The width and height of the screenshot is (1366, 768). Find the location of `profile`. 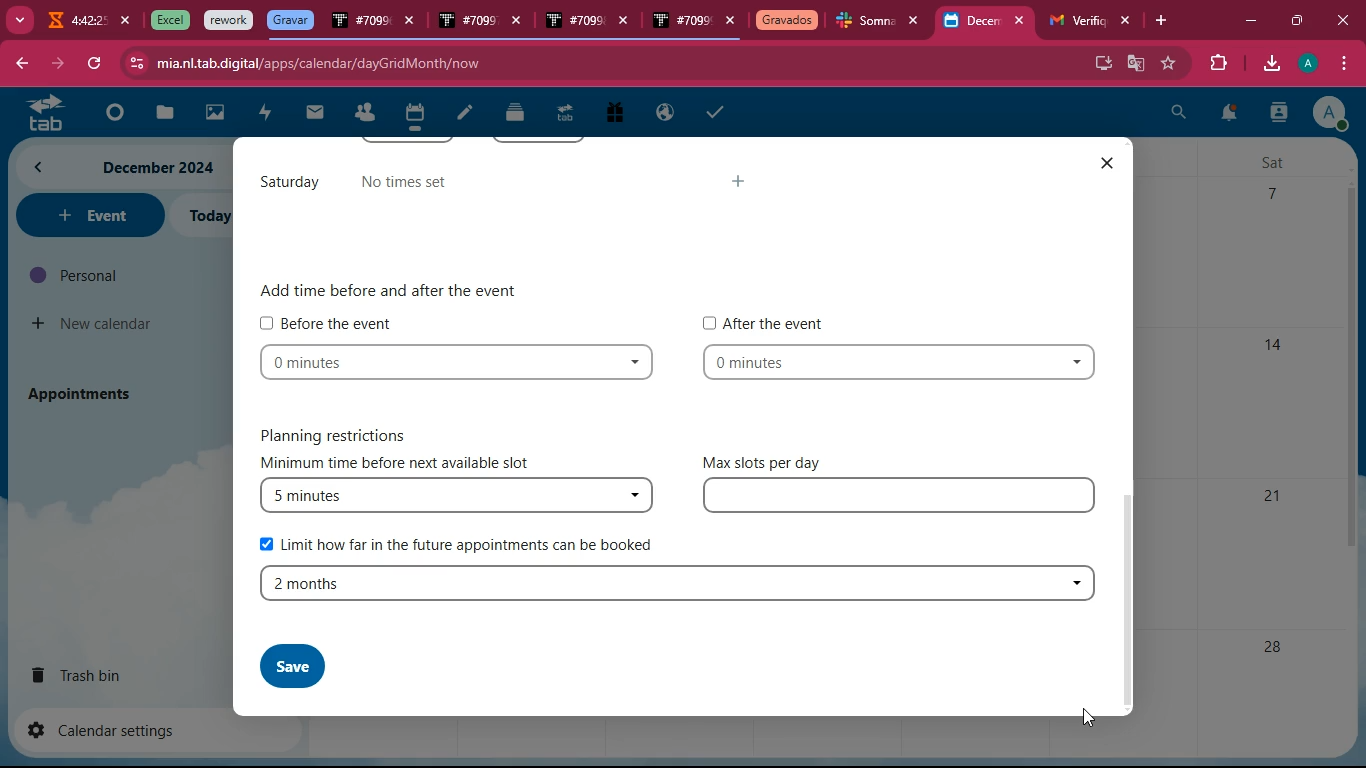

profile is located at coordinates (1311, 63).